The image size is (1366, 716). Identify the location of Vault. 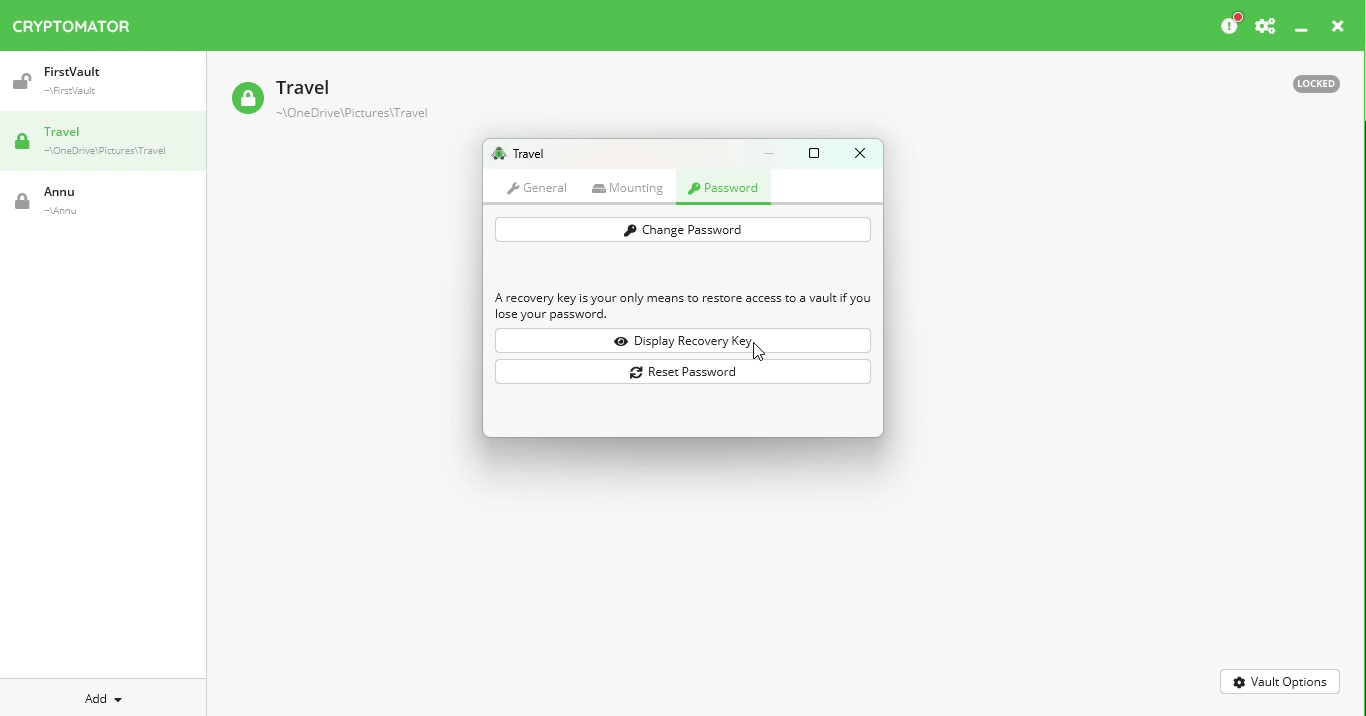
(329, 101).